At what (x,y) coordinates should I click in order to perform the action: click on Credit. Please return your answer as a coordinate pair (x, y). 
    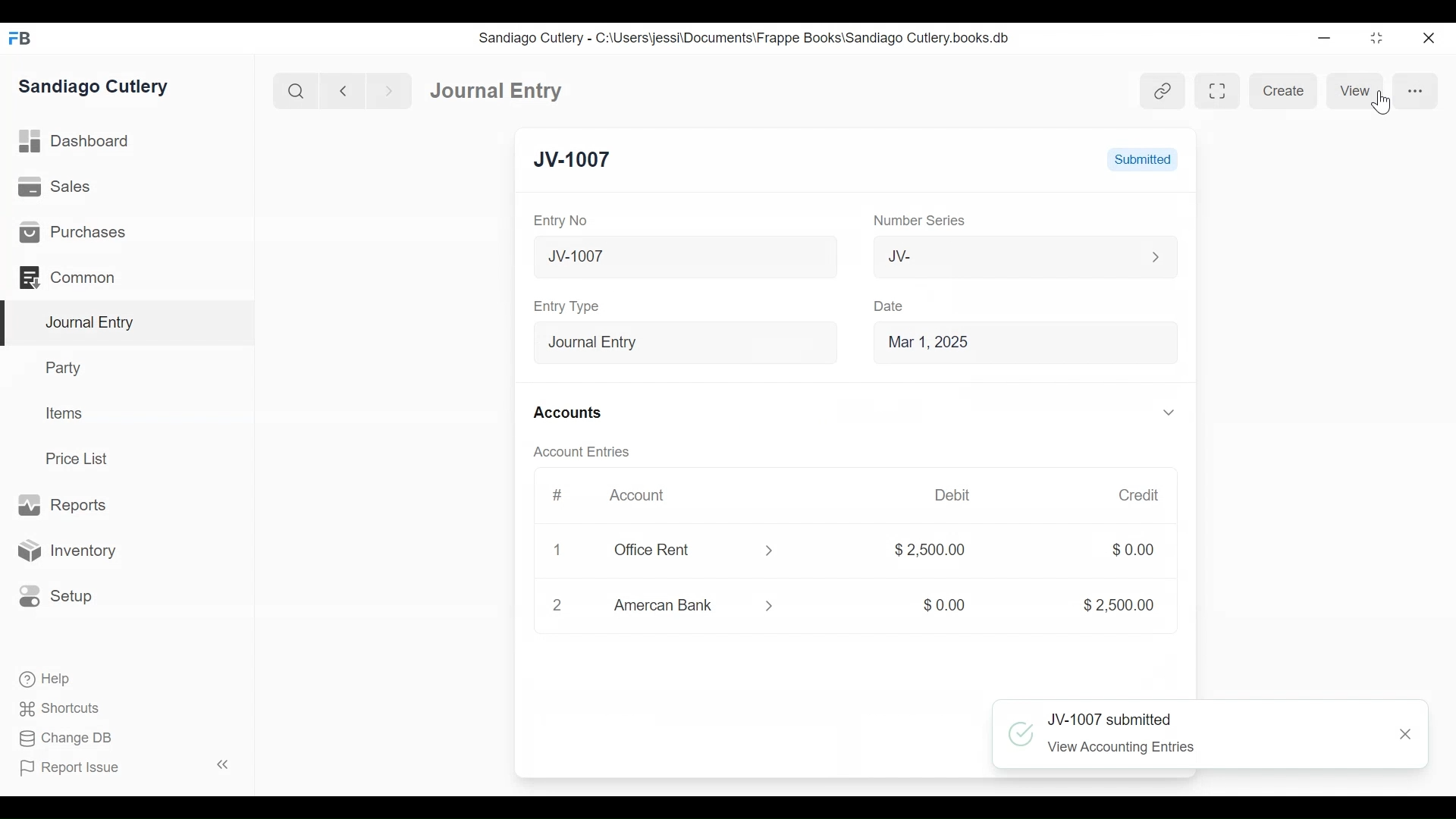
    Looking at the image, I should click on (1128, 495).